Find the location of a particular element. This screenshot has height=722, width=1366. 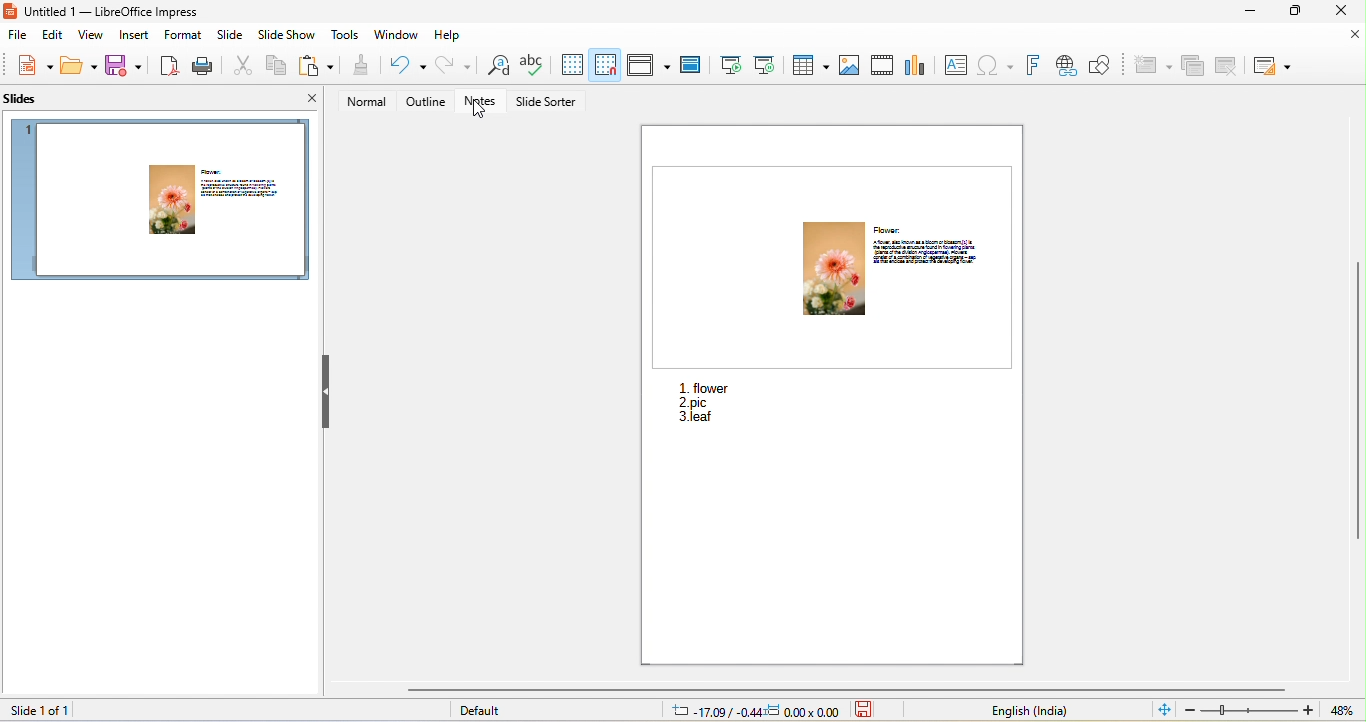

hide left sidebar is located at coordinates (324, 389).